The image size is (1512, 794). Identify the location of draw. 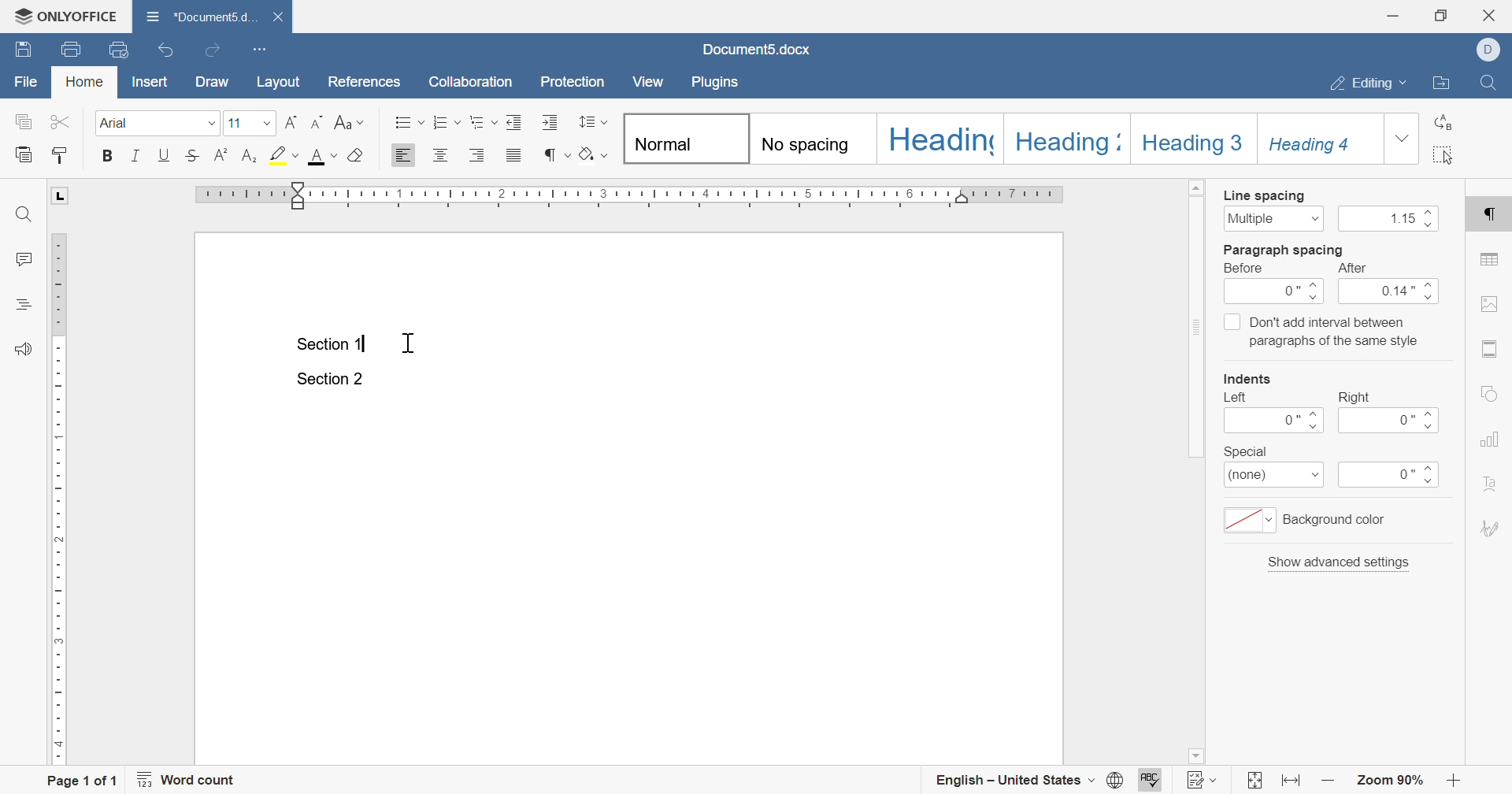
(213, 81).